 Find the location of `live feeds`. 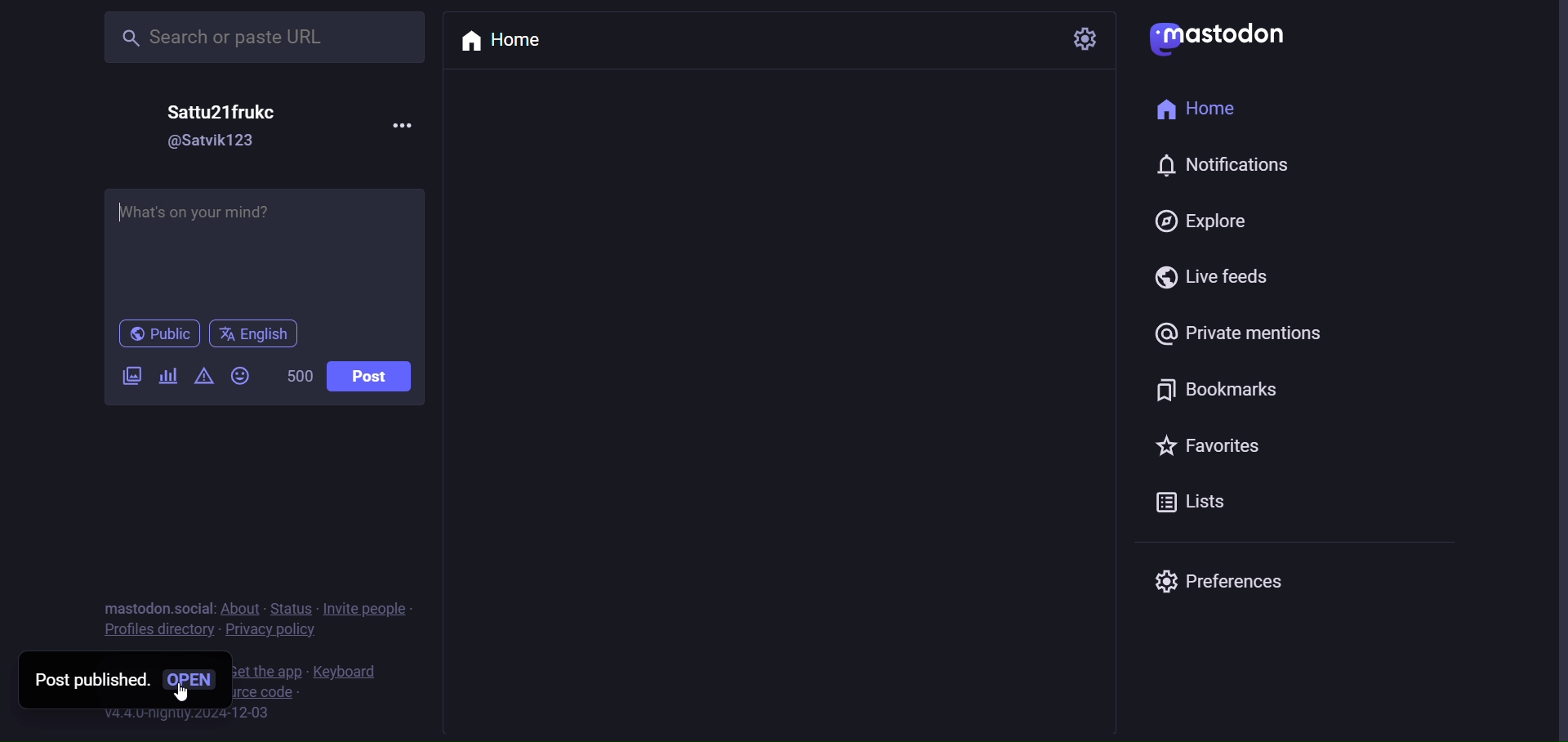

live feeds is located at coordinates (1206, 280).